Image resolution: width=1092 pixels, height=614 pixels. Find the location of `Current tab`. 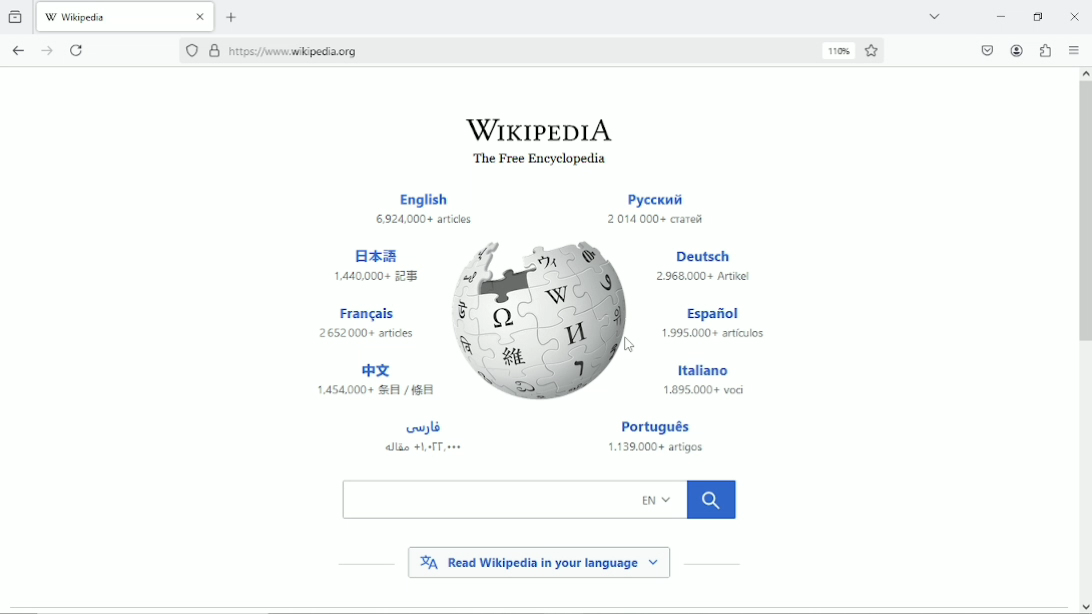

Current tab is located at coordinates (126, 15).